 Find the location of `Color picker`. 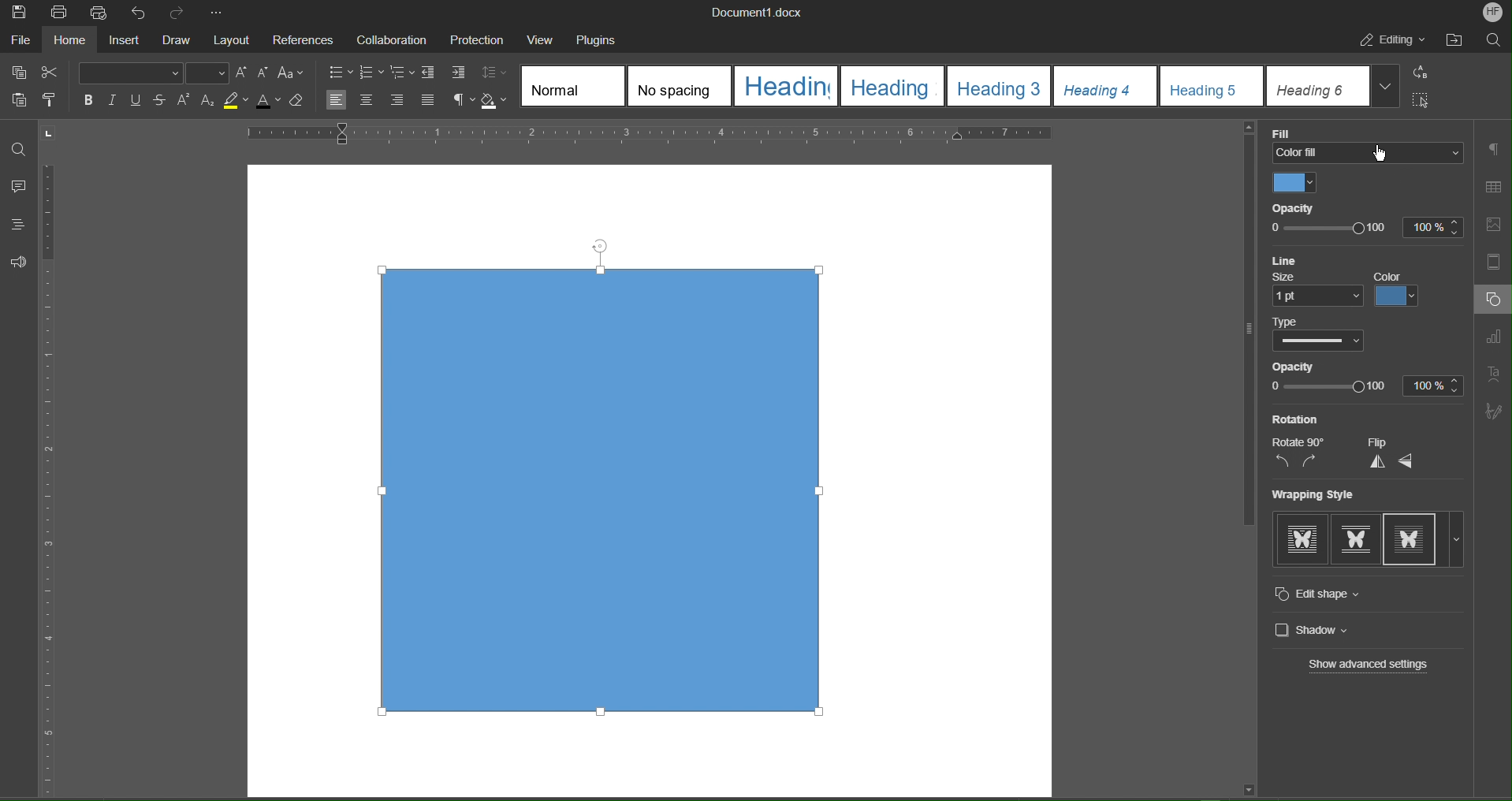

Color picker is located at coordinates (1395, 296).